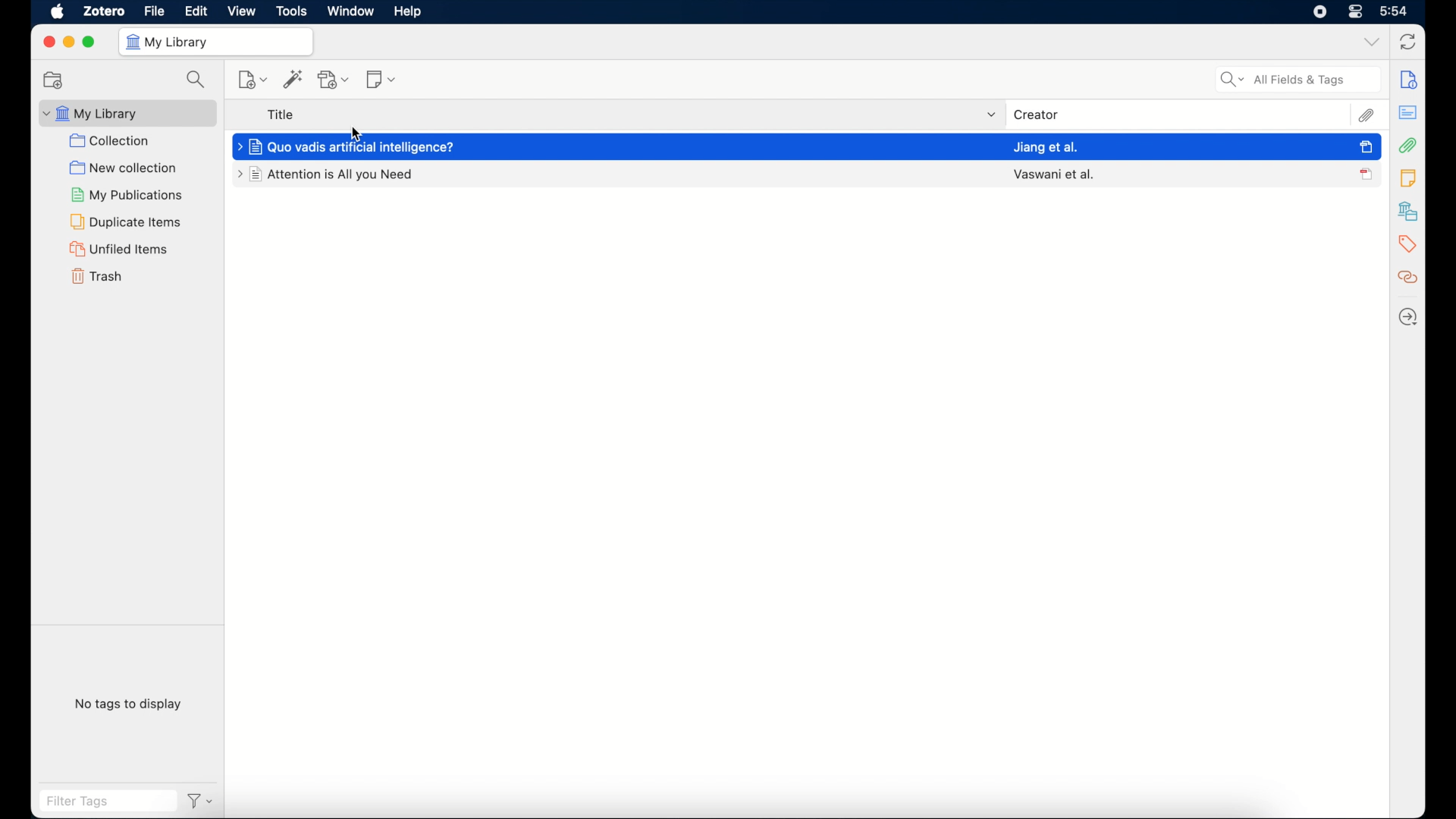  I want to click on add attachment, so click(333, 80).